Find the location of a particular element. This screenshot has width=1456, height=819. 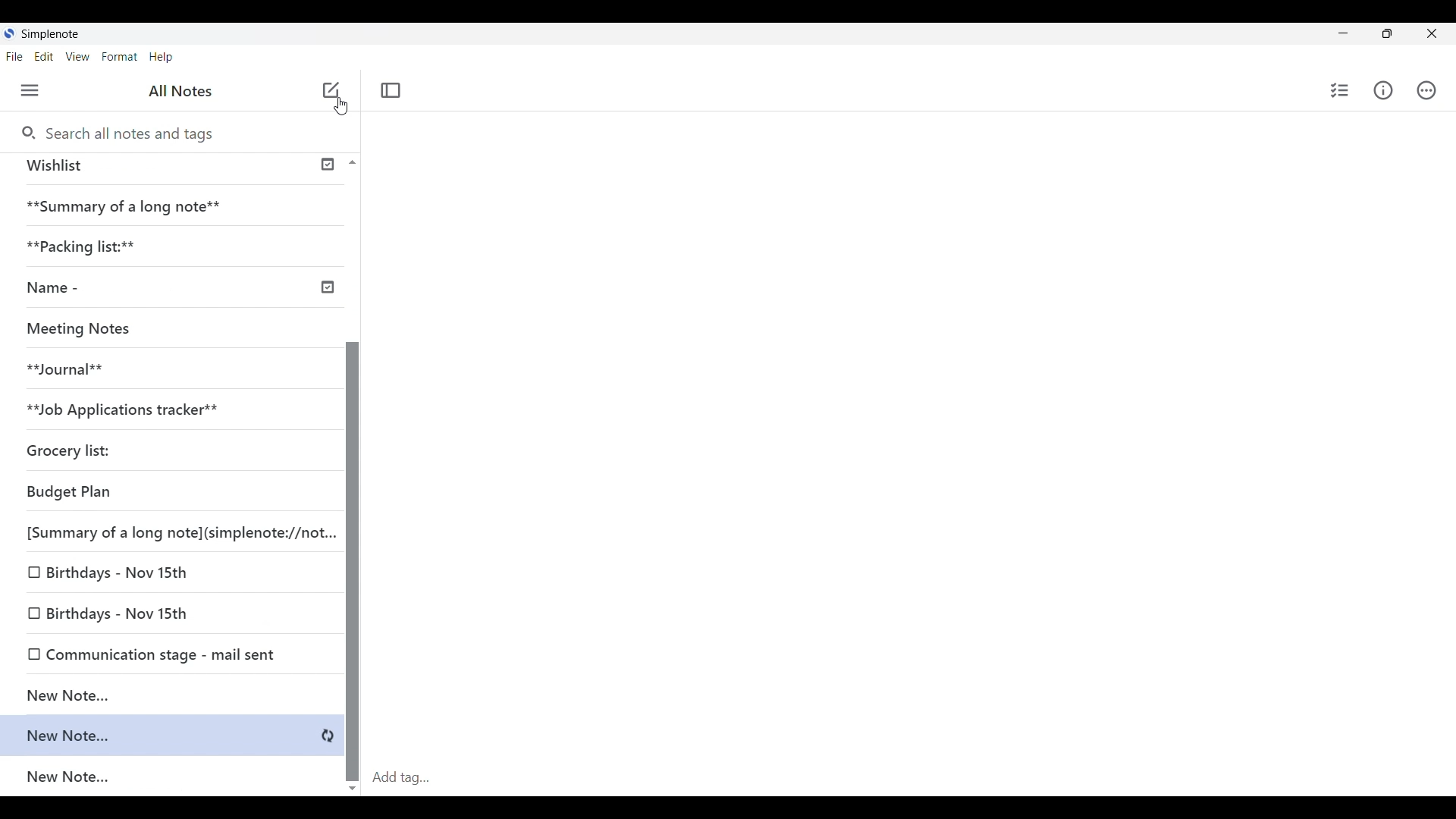

Menu • ctrl + shift + u is located at coordinates (36, 90).